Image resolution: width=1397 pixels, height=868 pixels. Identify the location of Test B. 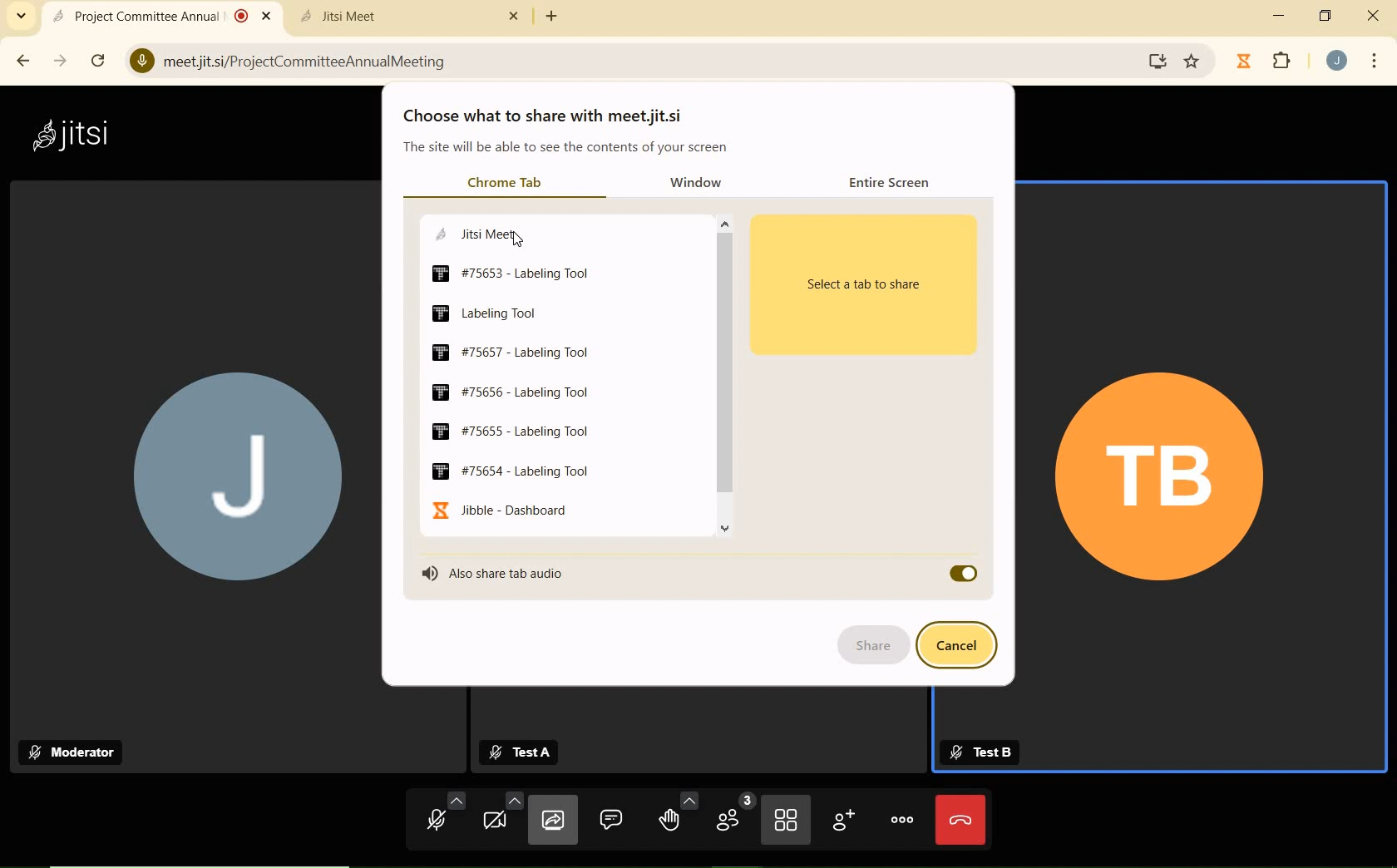
(980, 749).